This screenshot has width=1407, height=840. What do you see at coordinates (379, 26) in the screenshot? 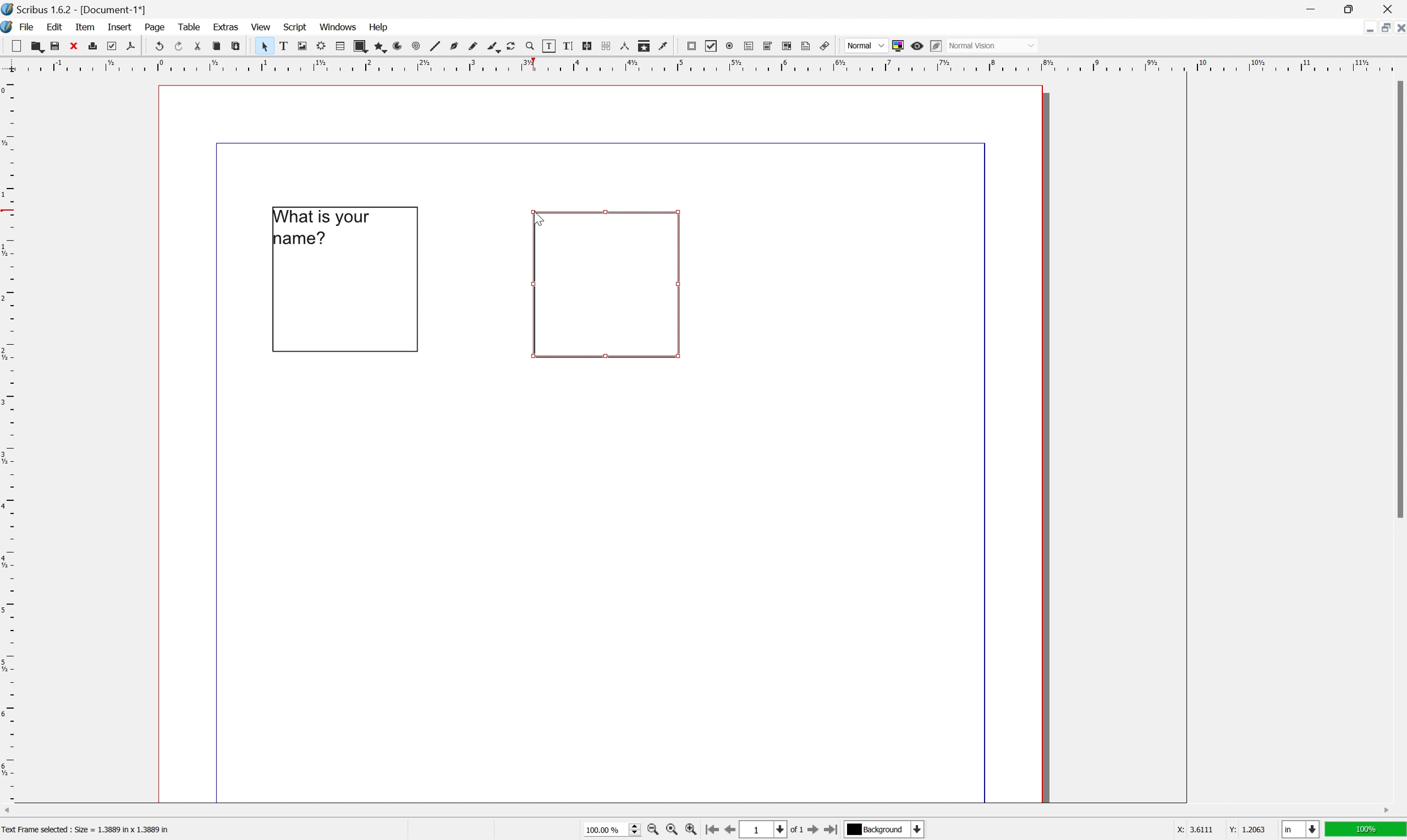
I see `help` at bounding box center [379, 26].